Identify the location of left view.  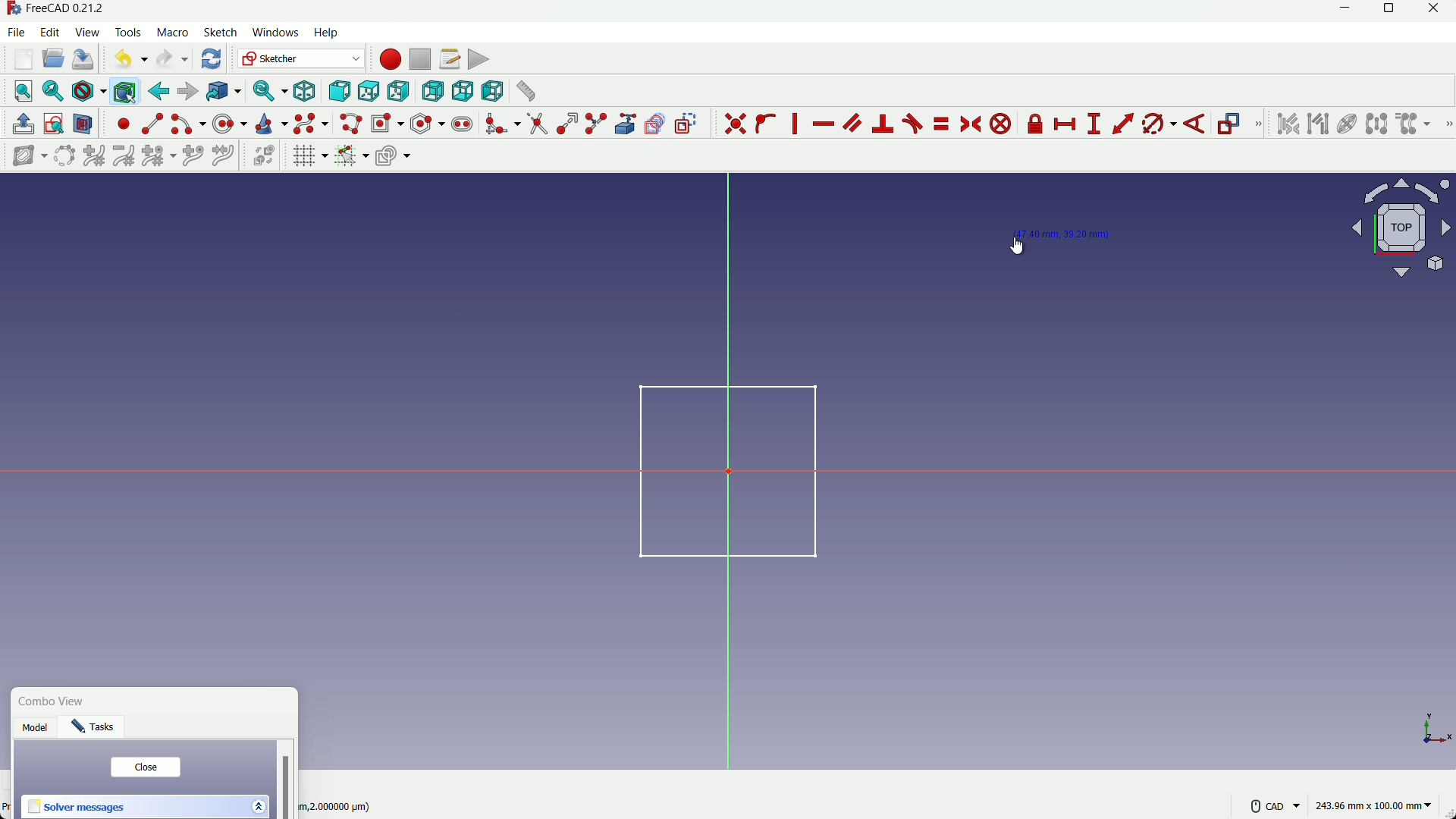
(490, 90).